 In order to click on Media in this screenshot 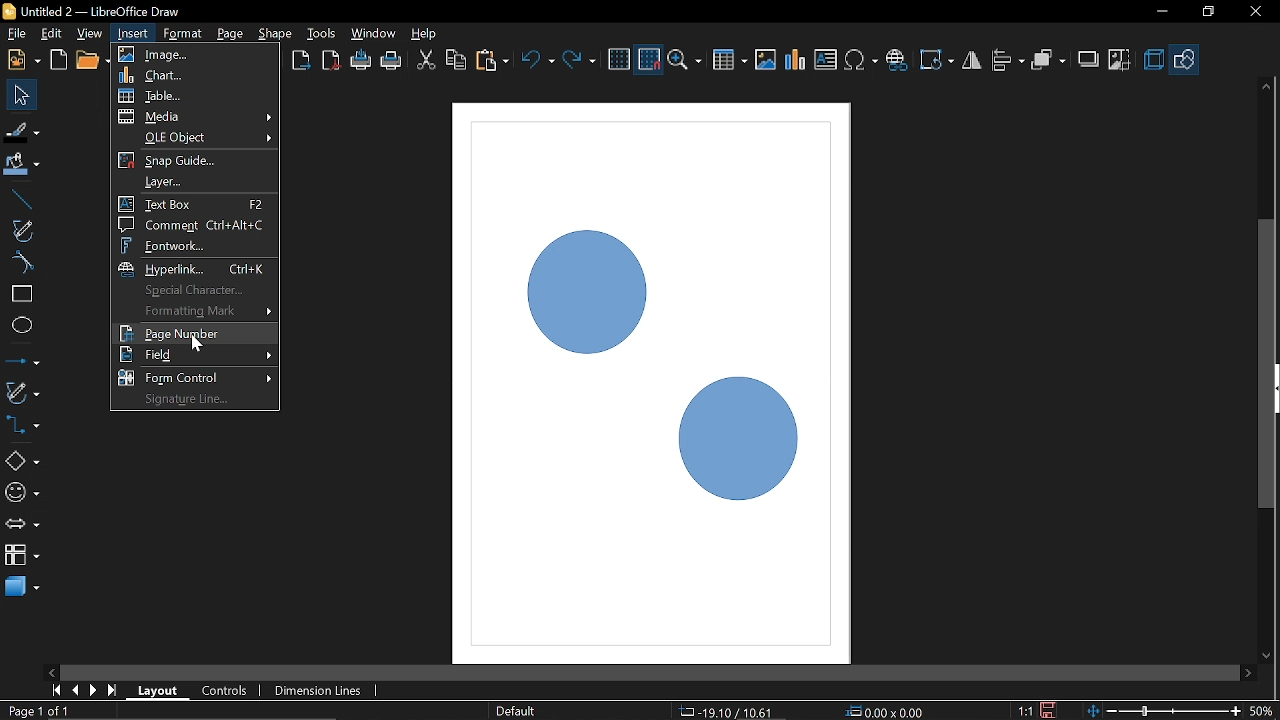, I will do `click(197, 118)`.